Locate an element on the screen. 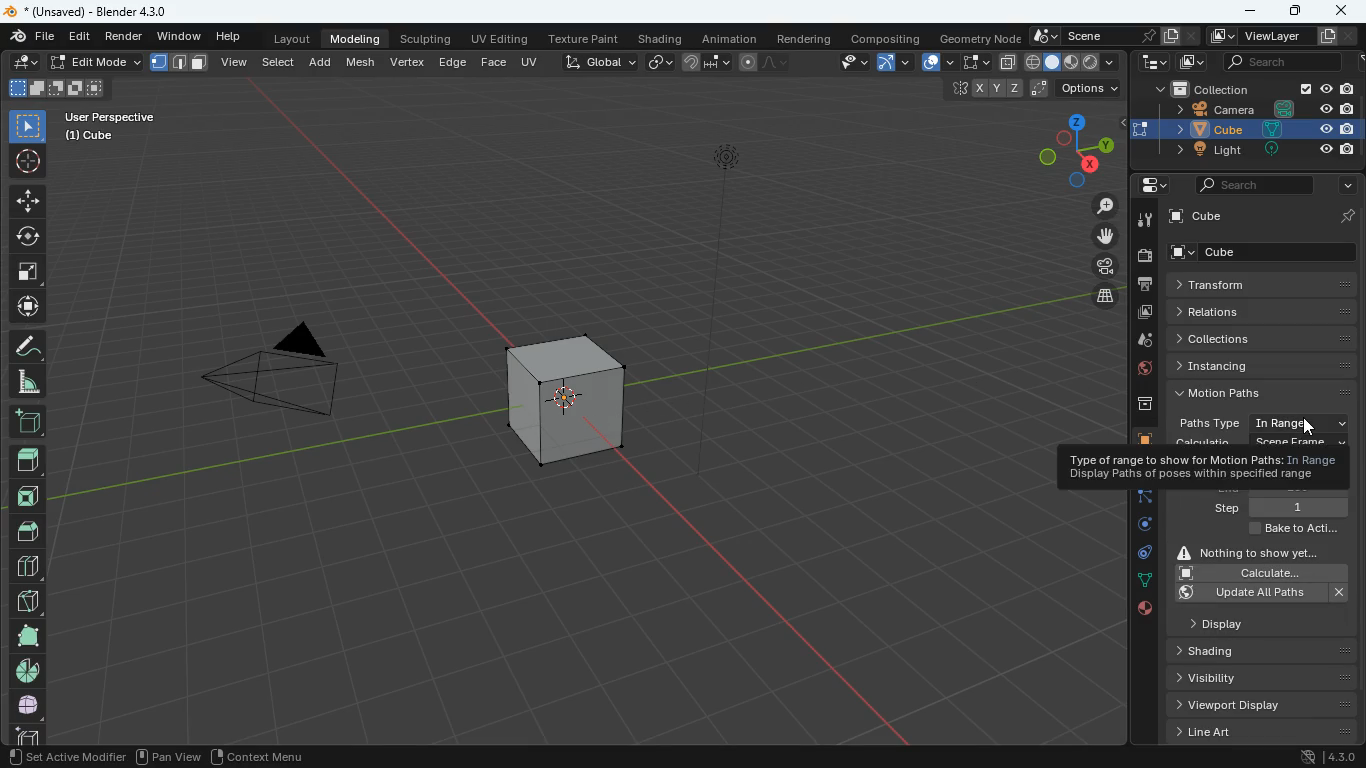 This screenshot has width=1366, height=768. draw is located at coordinates (26, 345).